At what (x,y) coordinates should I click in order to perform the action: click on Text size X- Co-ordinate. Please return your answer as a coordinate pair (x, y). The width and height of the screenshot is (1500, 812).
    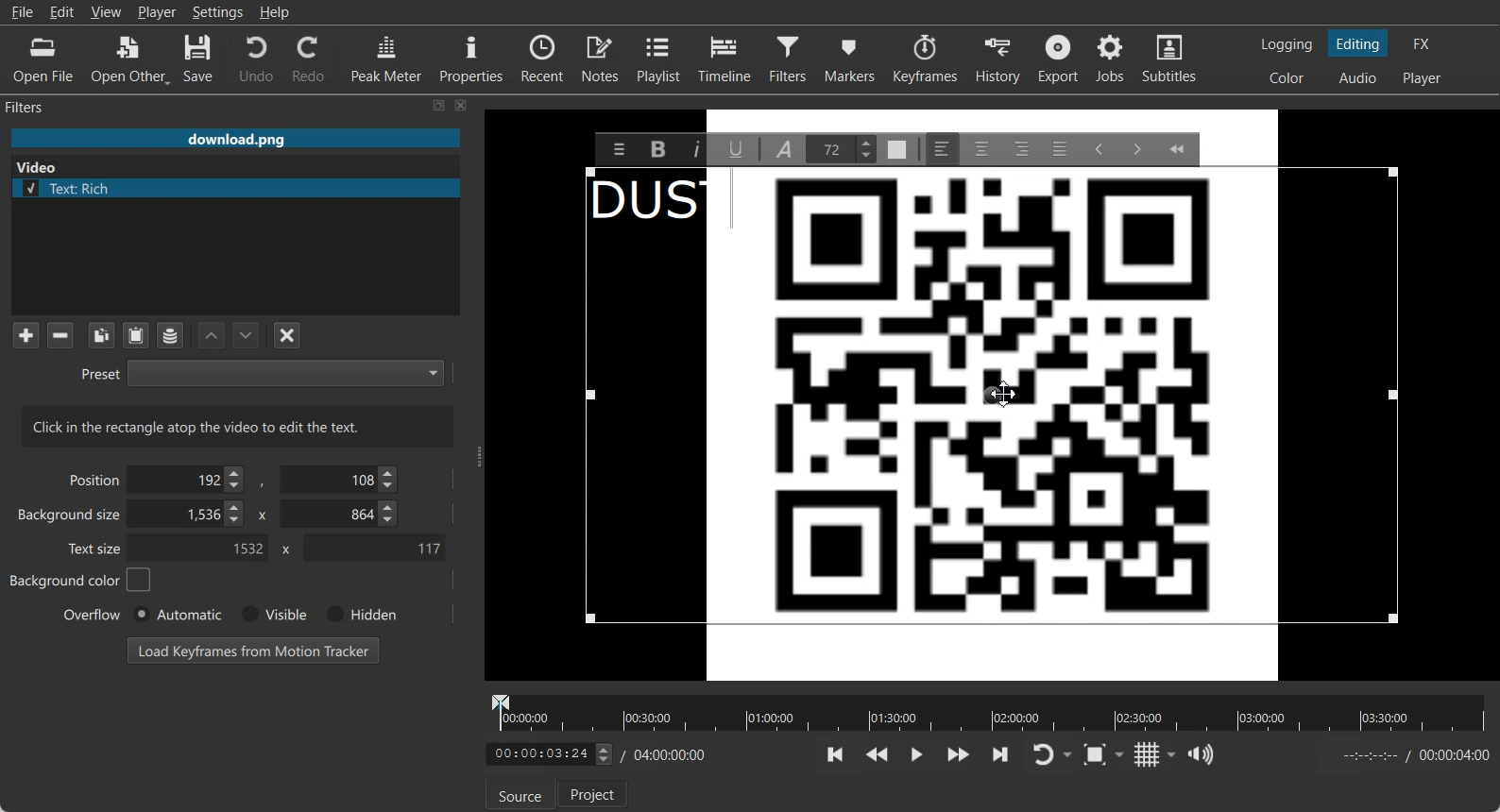
    Looking at the image, I should click on (197, 550).